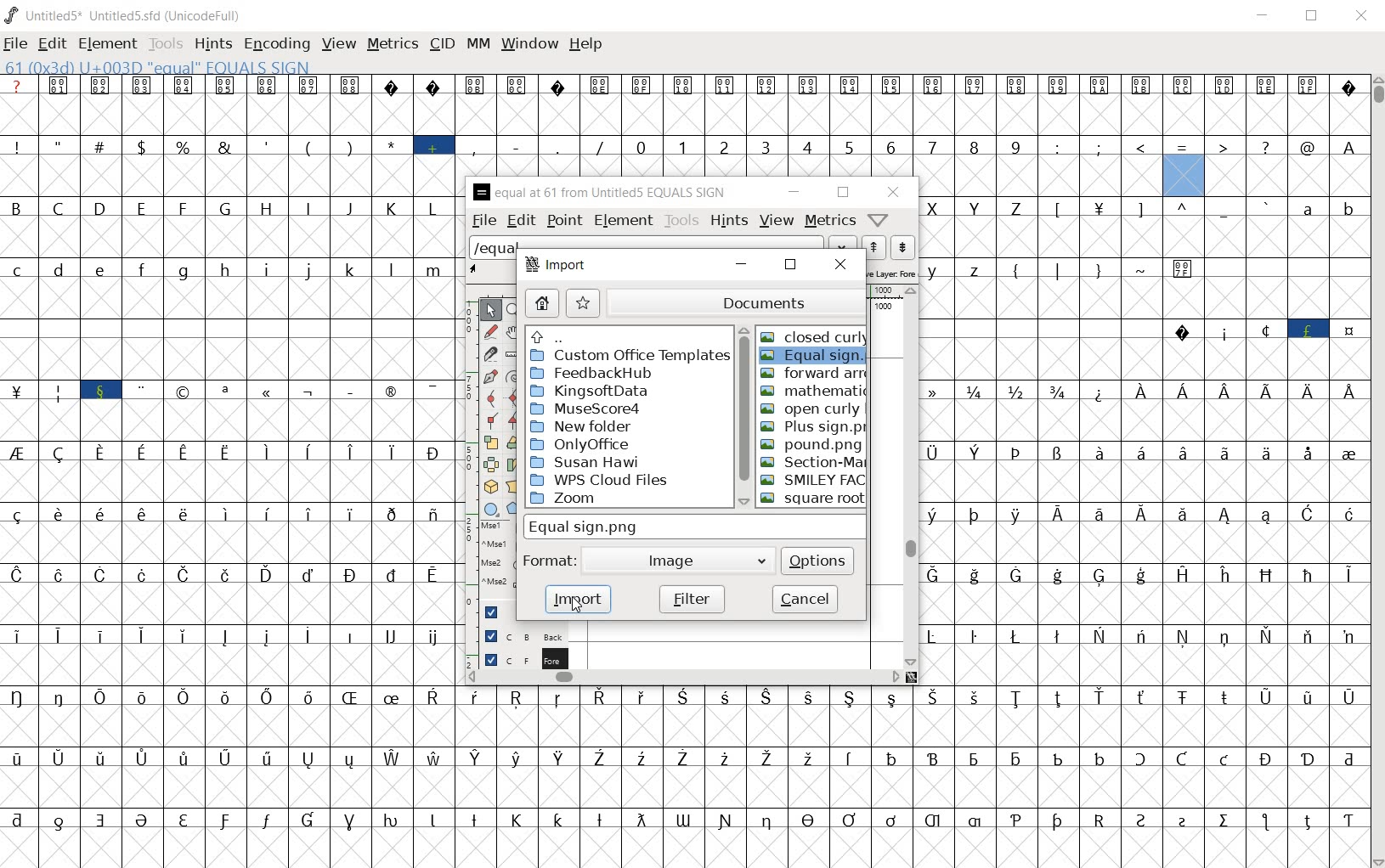 The height and width of the screenshot is (868, 1385). I want to click on metrics, so click(828, 221).